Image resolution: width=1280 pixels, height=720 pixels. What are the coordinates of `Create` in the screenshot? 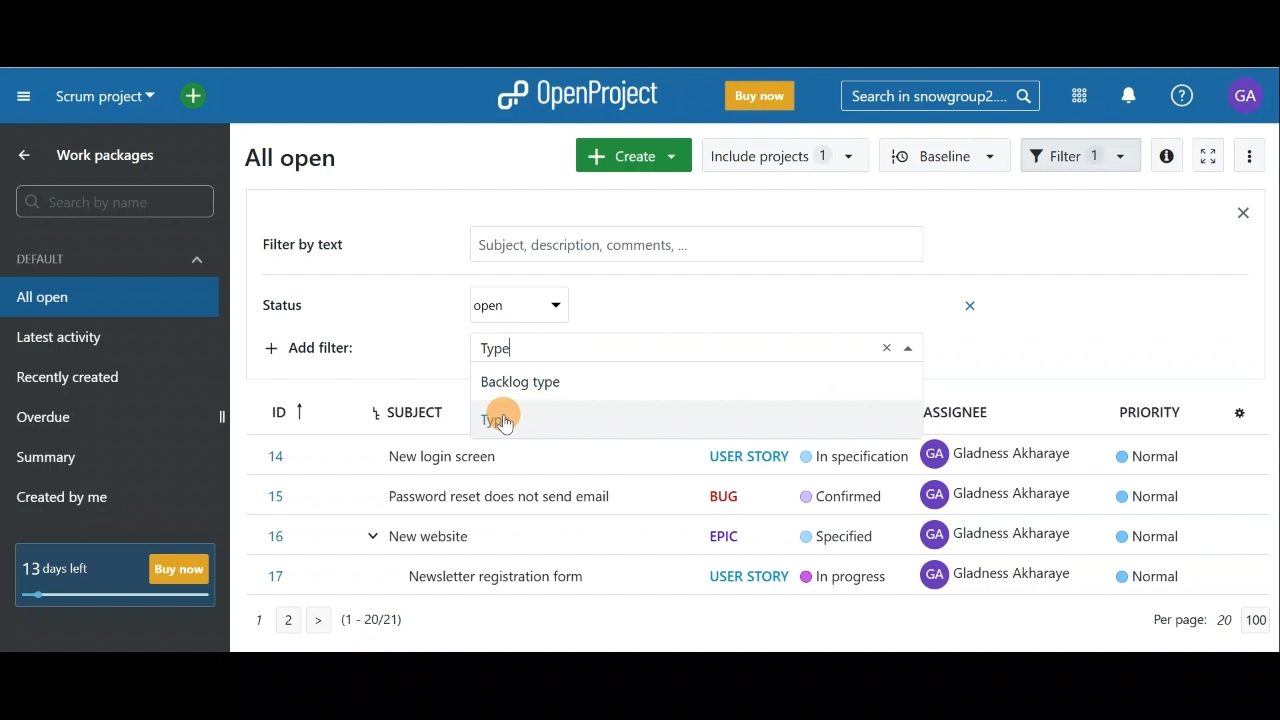 It's located at (630, 155).